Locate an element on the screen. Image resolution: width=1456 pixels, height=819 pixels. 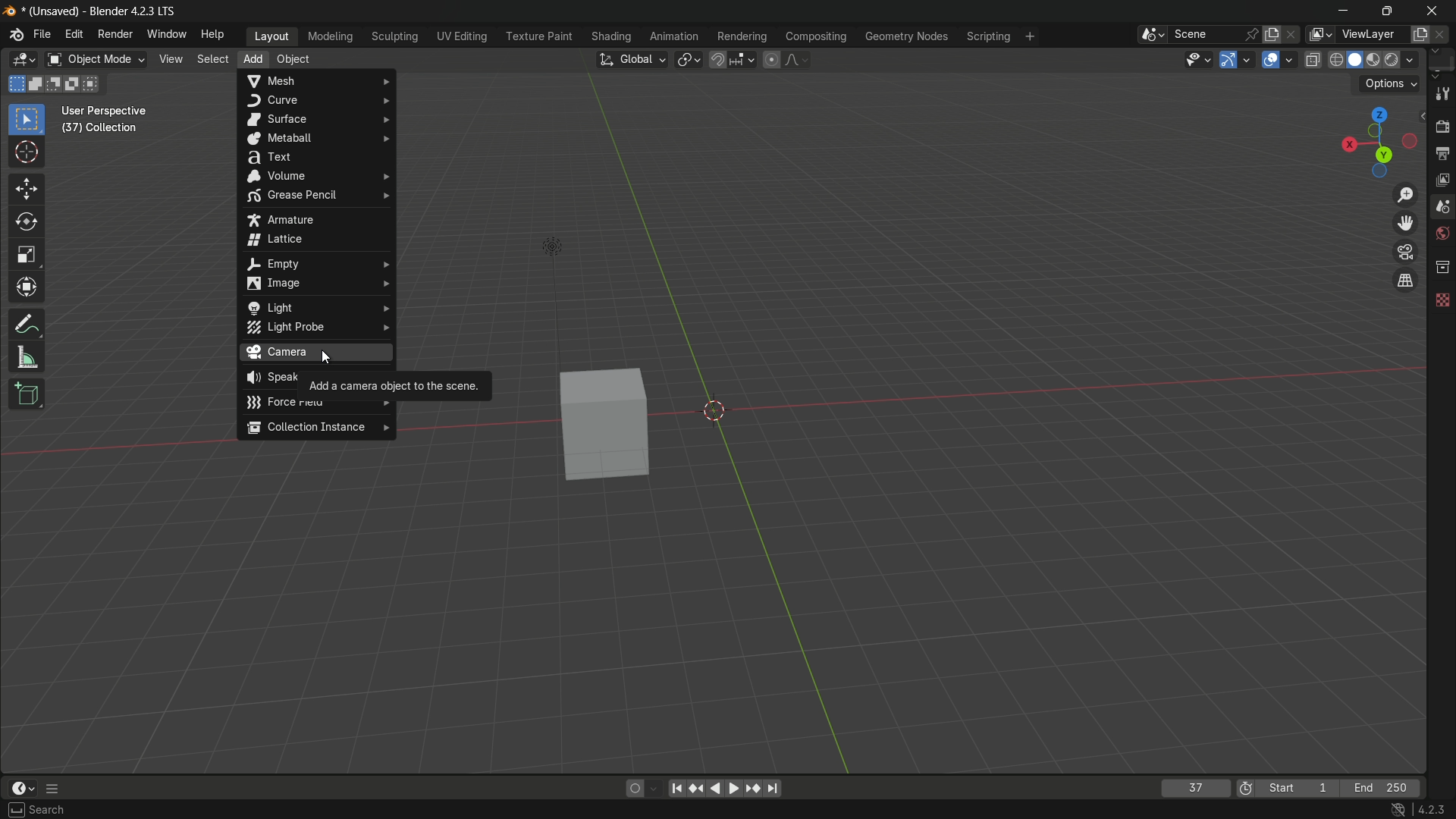
texture menu is located at coordinates (536, 37).